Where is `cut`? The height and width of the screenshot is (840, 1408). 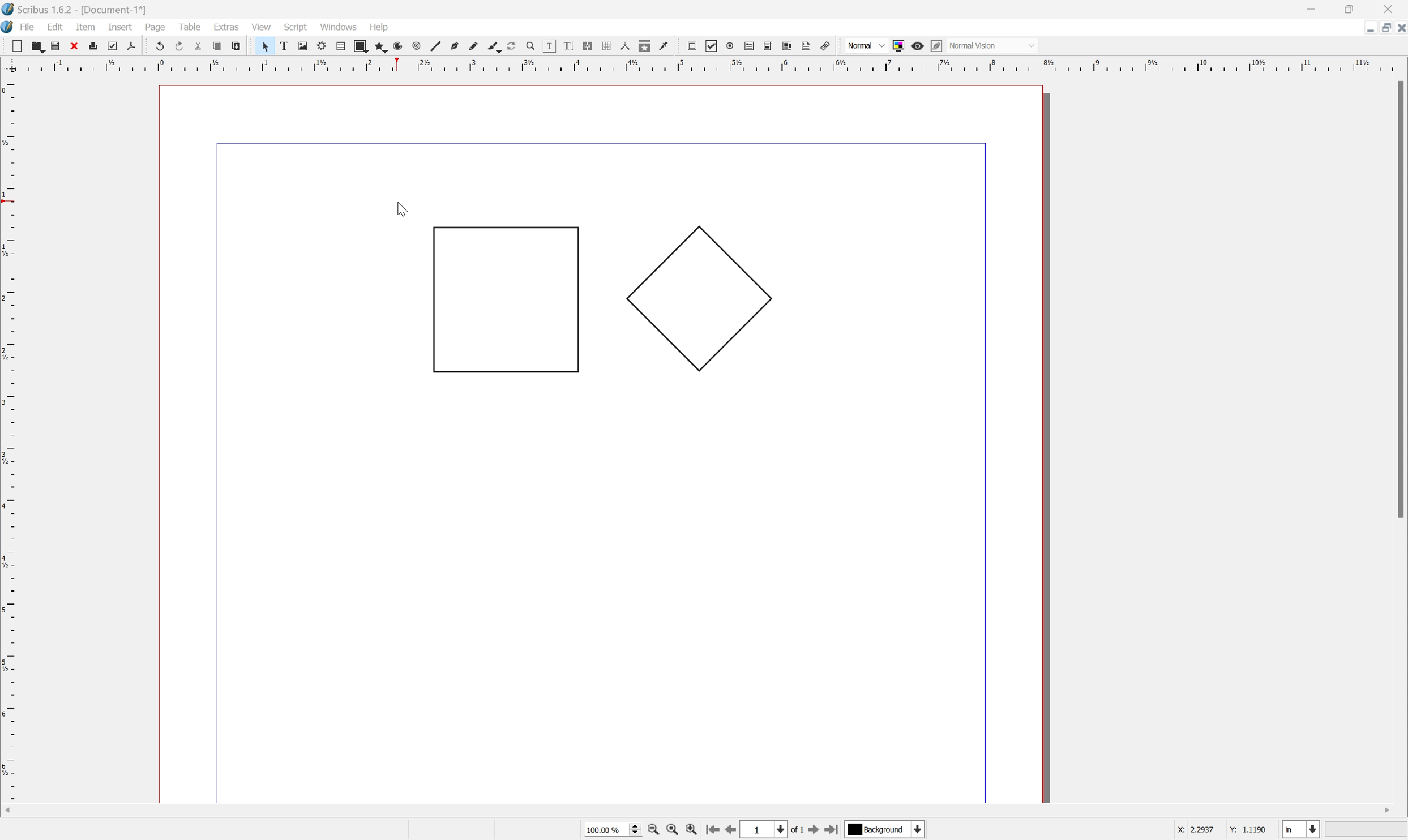
cut is located at coordinates (196, 46).